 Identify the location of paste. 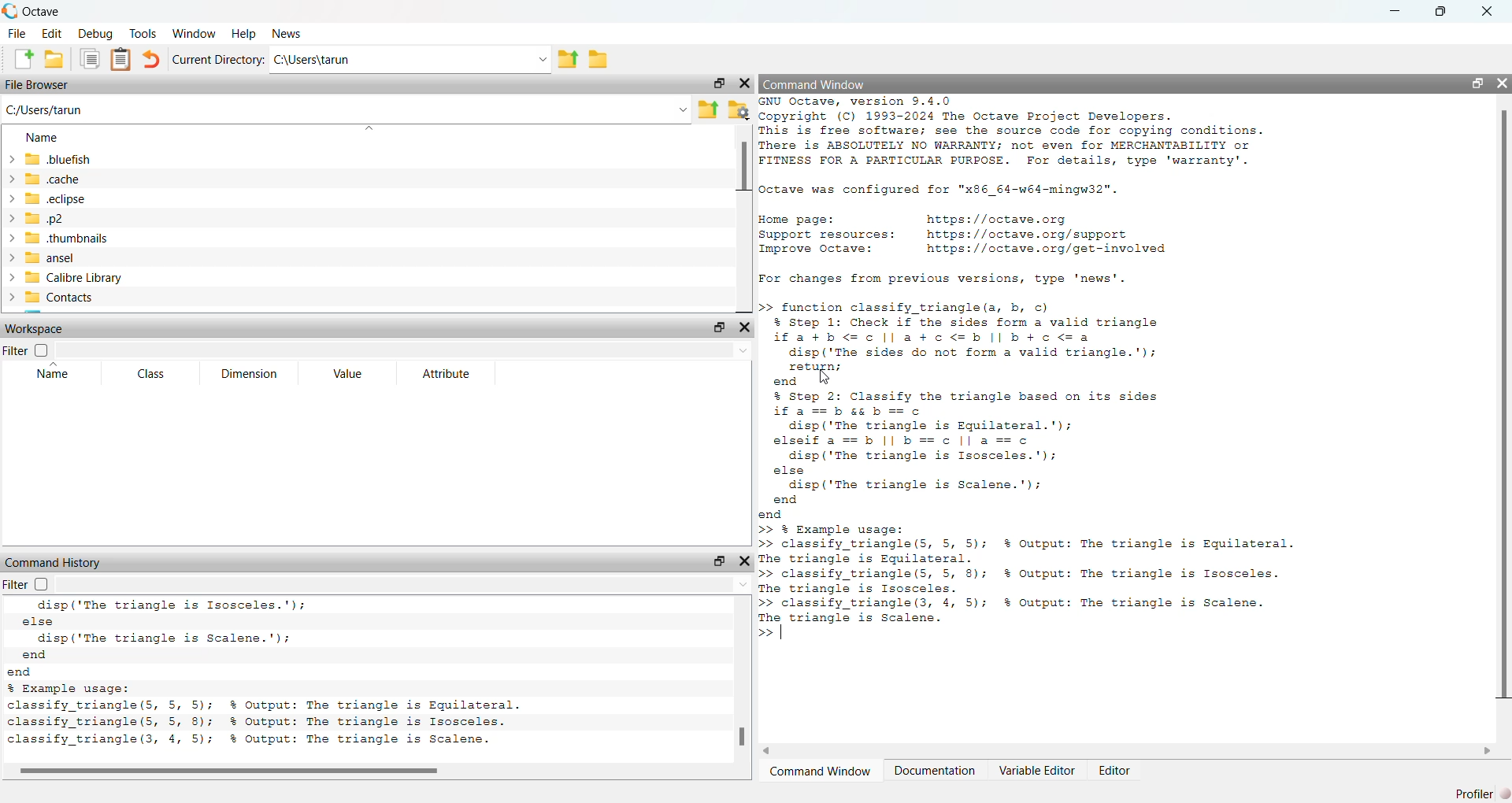
(120, 60).